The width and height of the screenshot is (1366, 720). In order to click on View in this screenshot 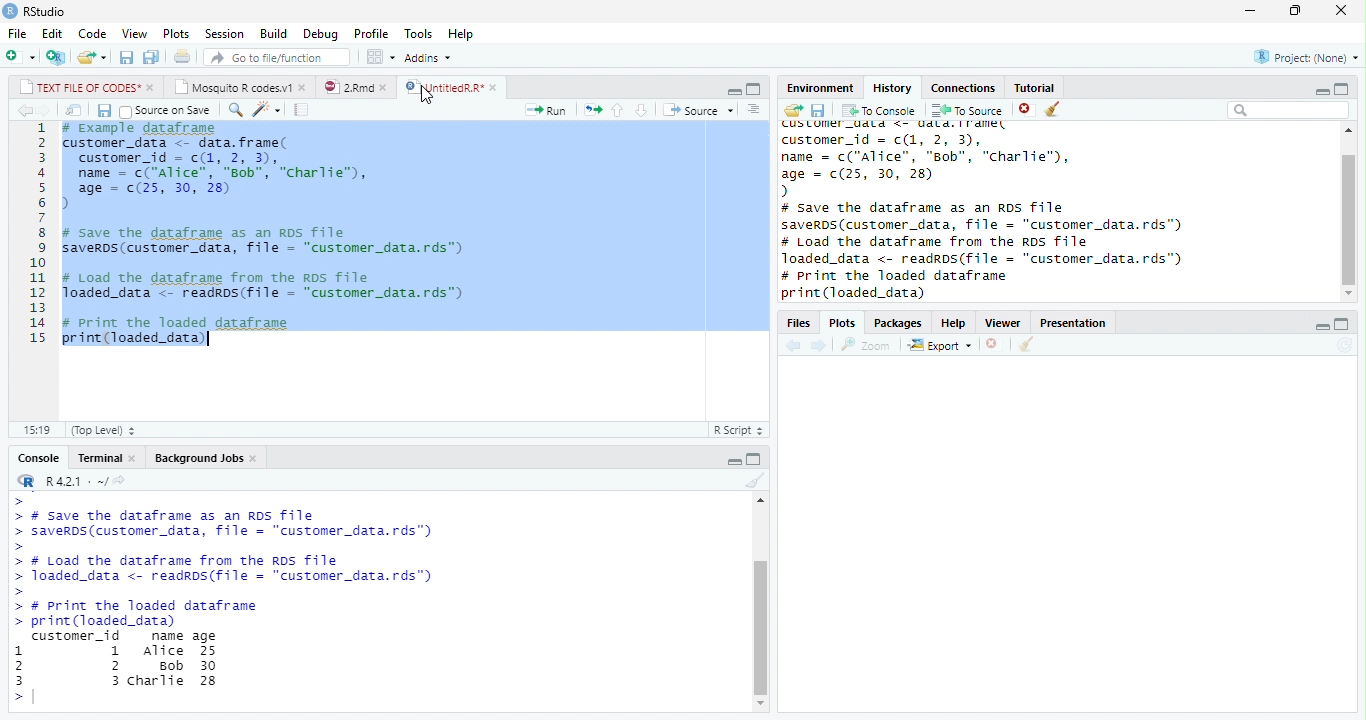, I will do `click(135, 33)`.